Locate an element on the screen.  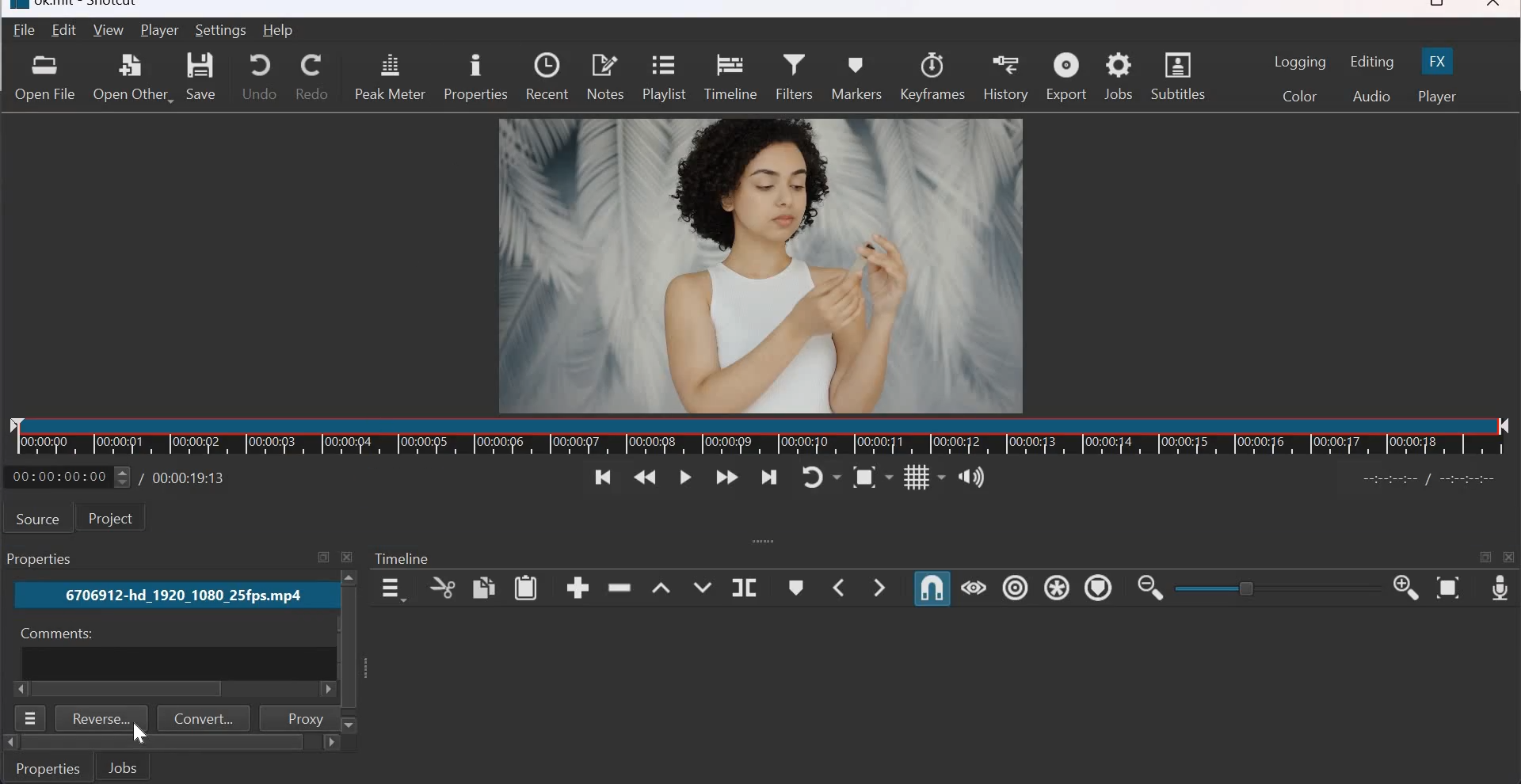
canvas is located at coordinates (764, 265).